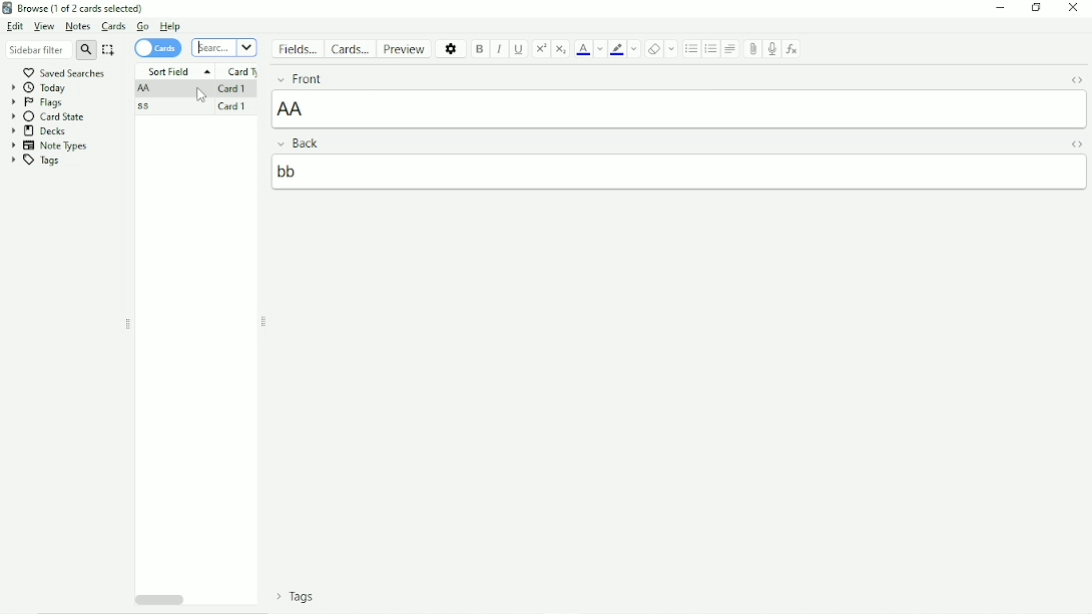  I want to click on Card 1, so click(233, 89).